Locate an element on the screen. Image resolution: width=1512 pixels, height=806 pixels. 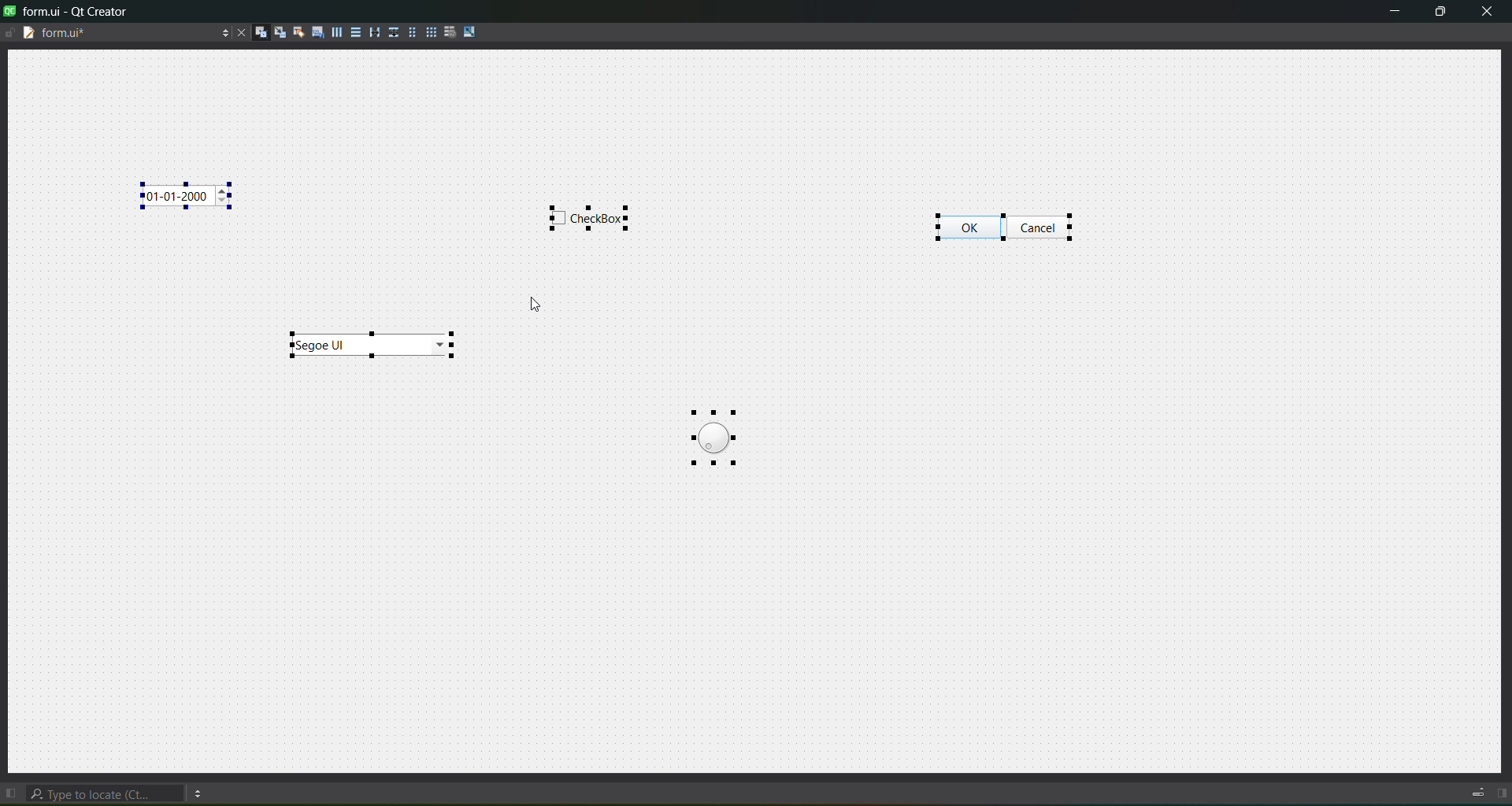
edit tab order is located at coordinates (314, 30).